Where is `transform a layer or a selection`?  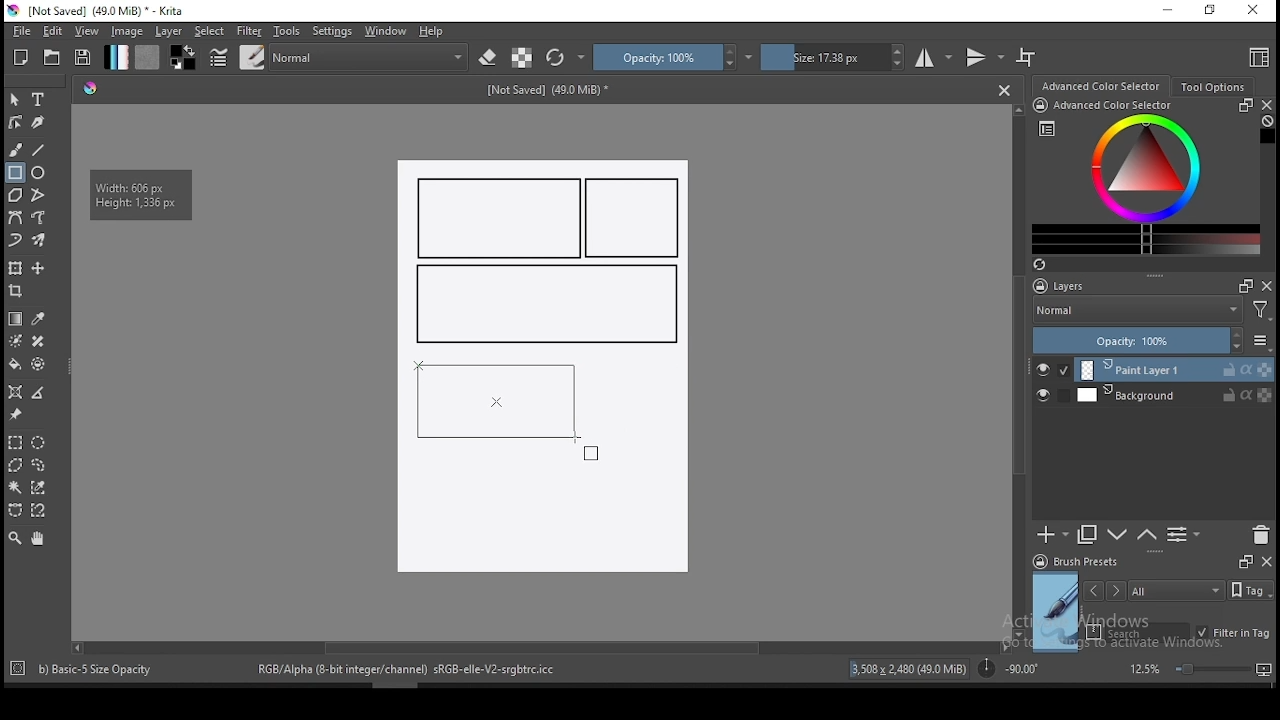
transform a layer or a selection is located at coordinates (15, 267).